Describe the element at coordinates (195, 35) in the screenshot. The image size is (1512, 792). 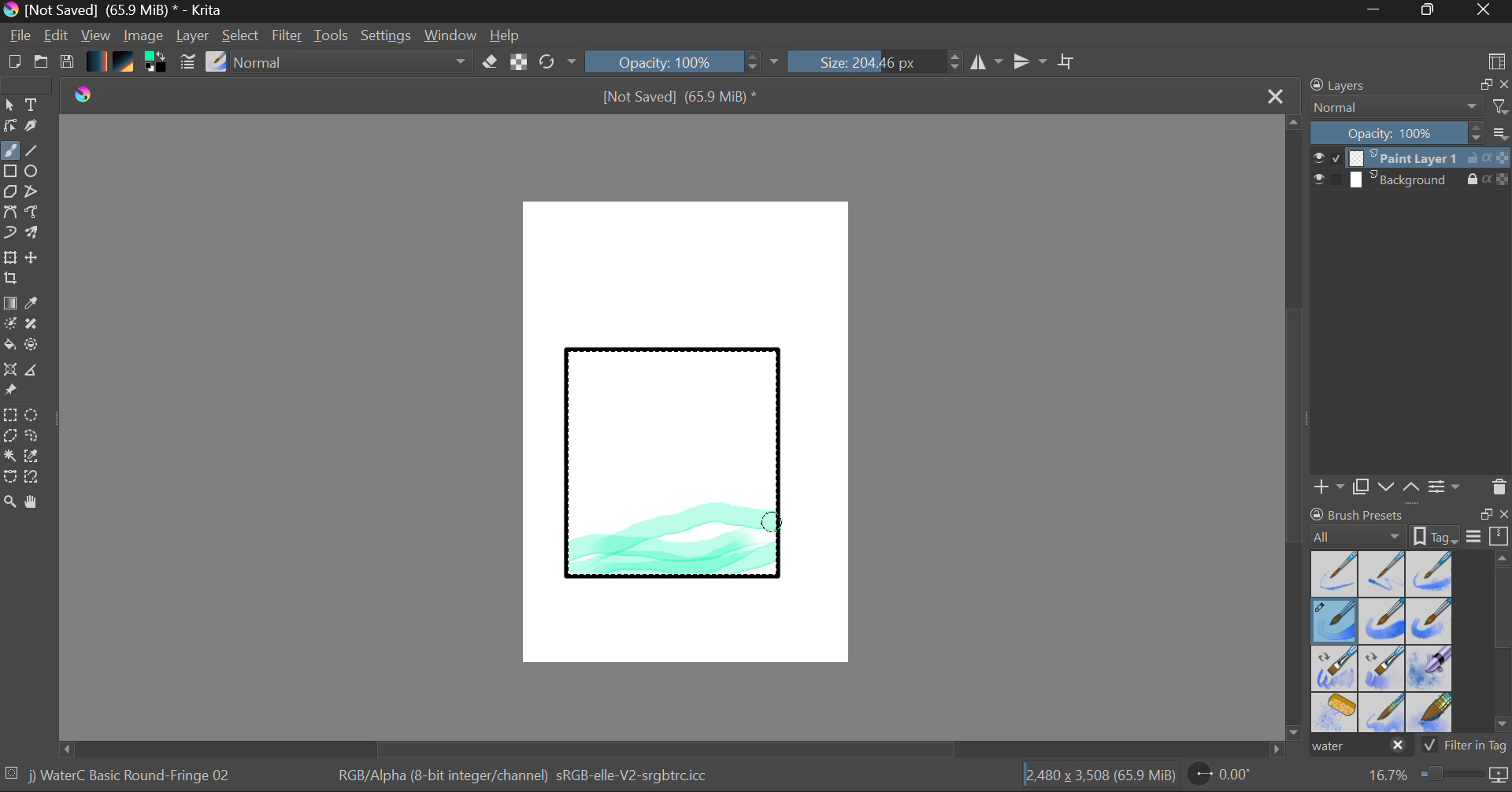
I see `Layer` at that location.